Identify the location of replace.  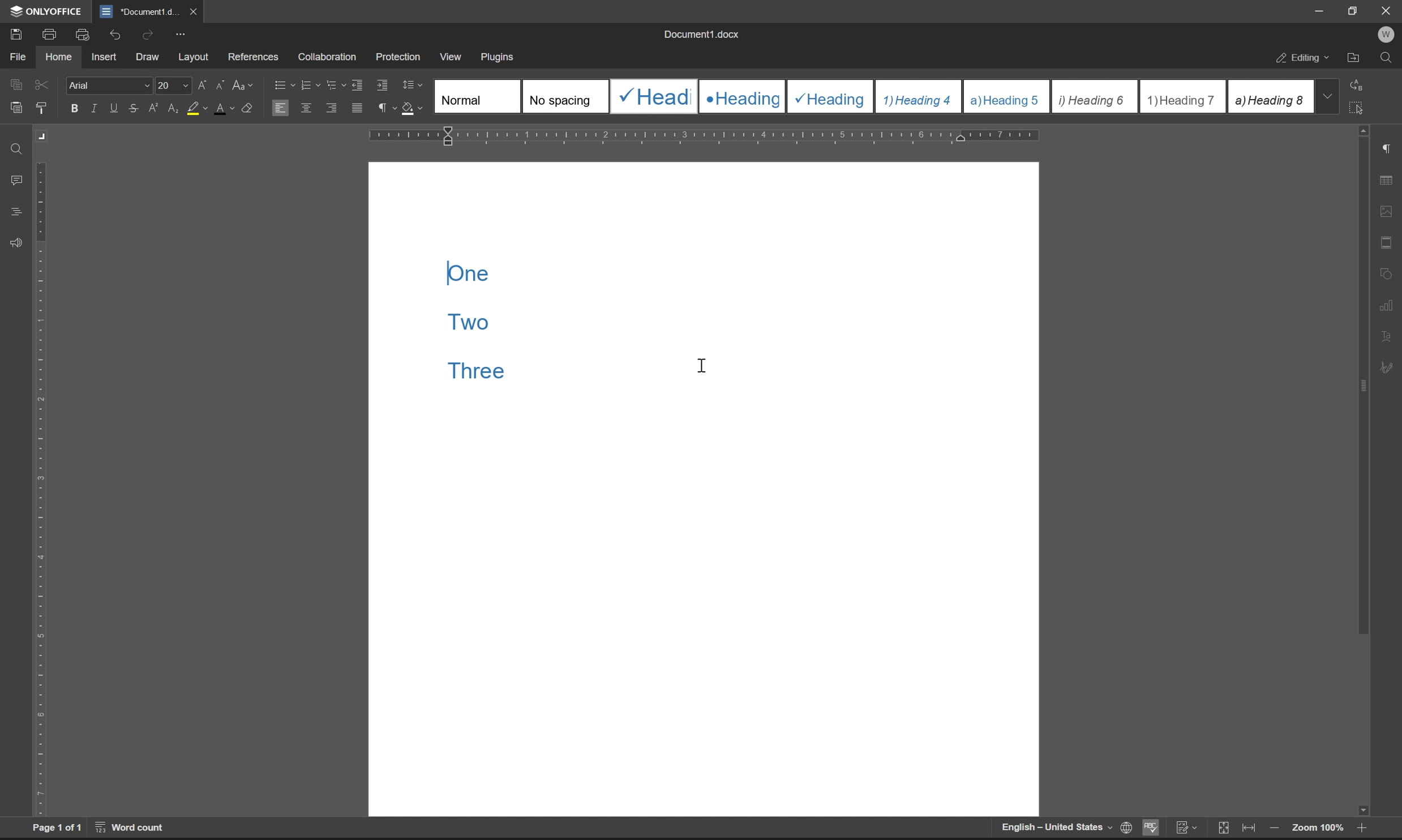
(1360, 84).